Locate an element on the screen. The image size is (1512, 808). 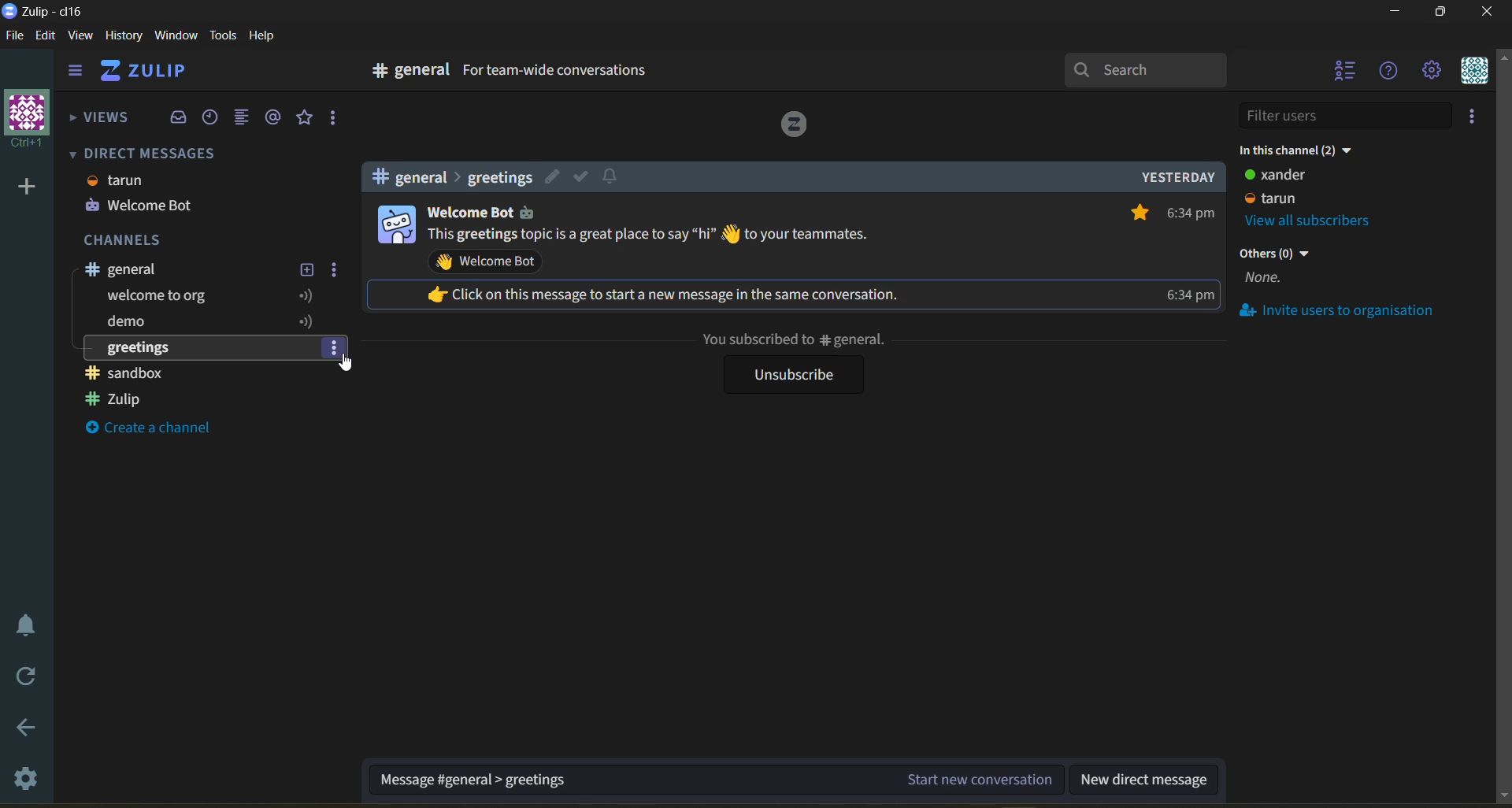
time is located at coordinates (1191, 256).